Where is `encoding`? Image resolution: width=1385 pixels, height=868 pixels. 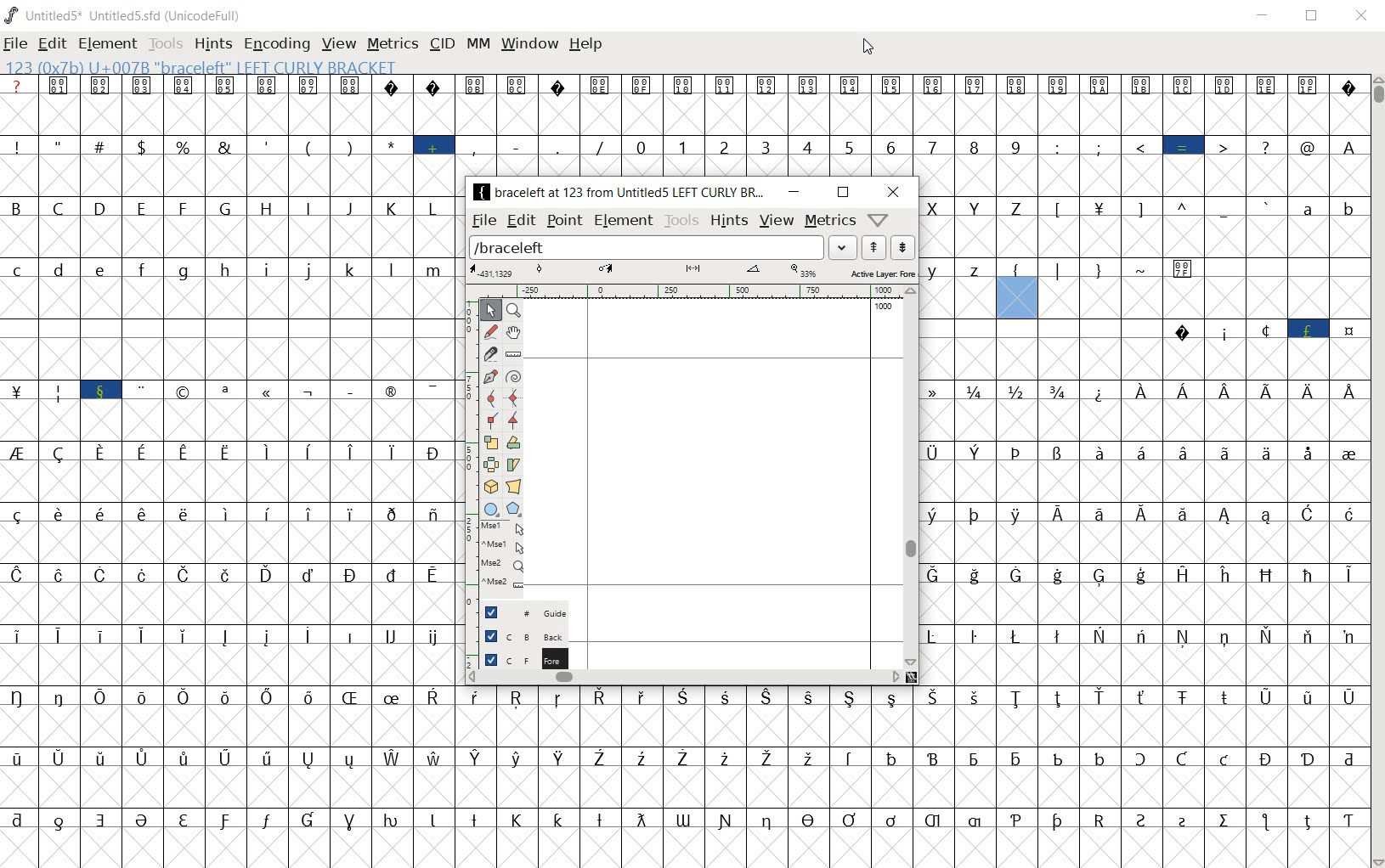
encoding is located at coordinates (276, 42).